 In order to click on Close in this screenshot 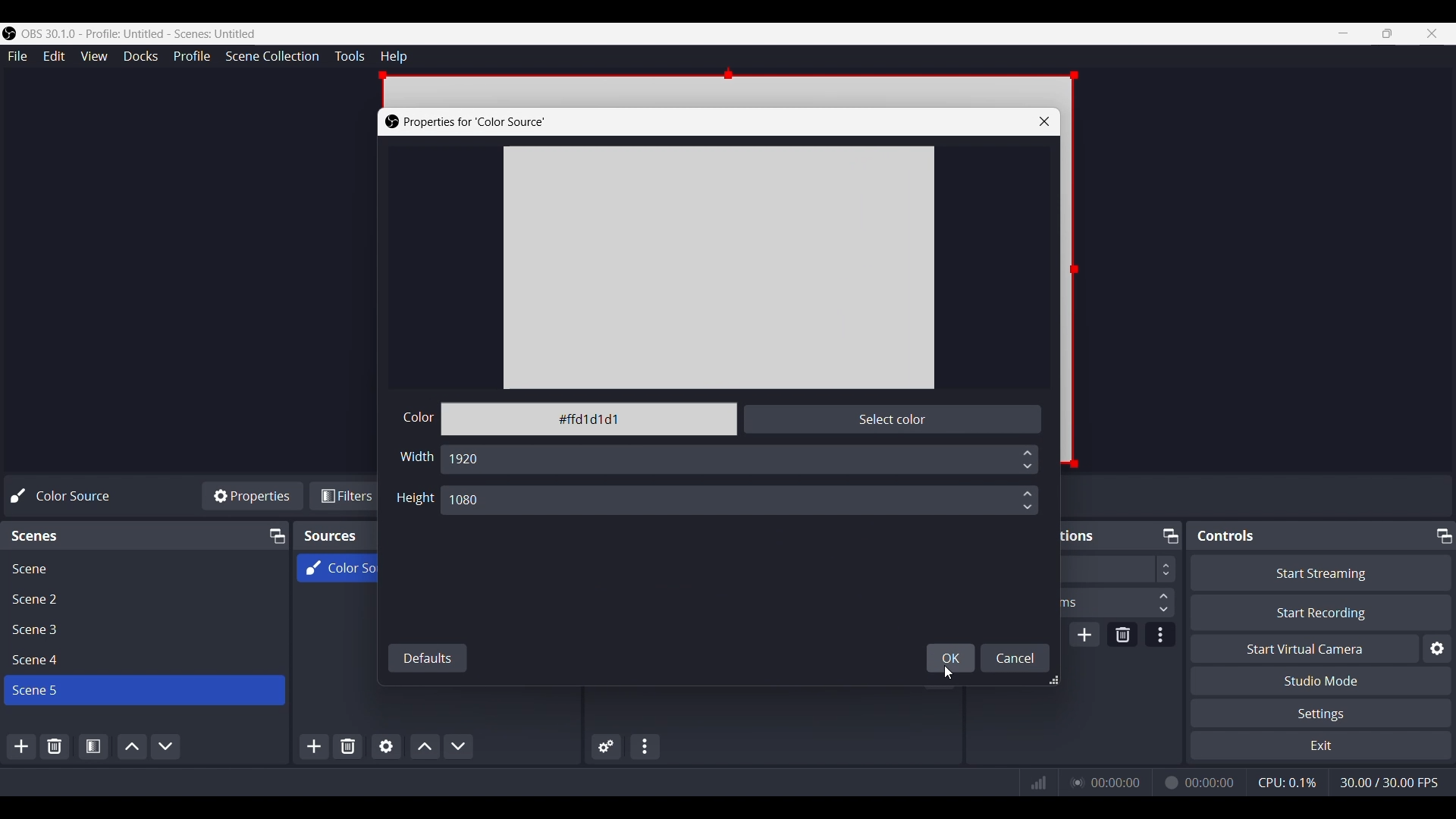, I will do `click(1434, 33)`.